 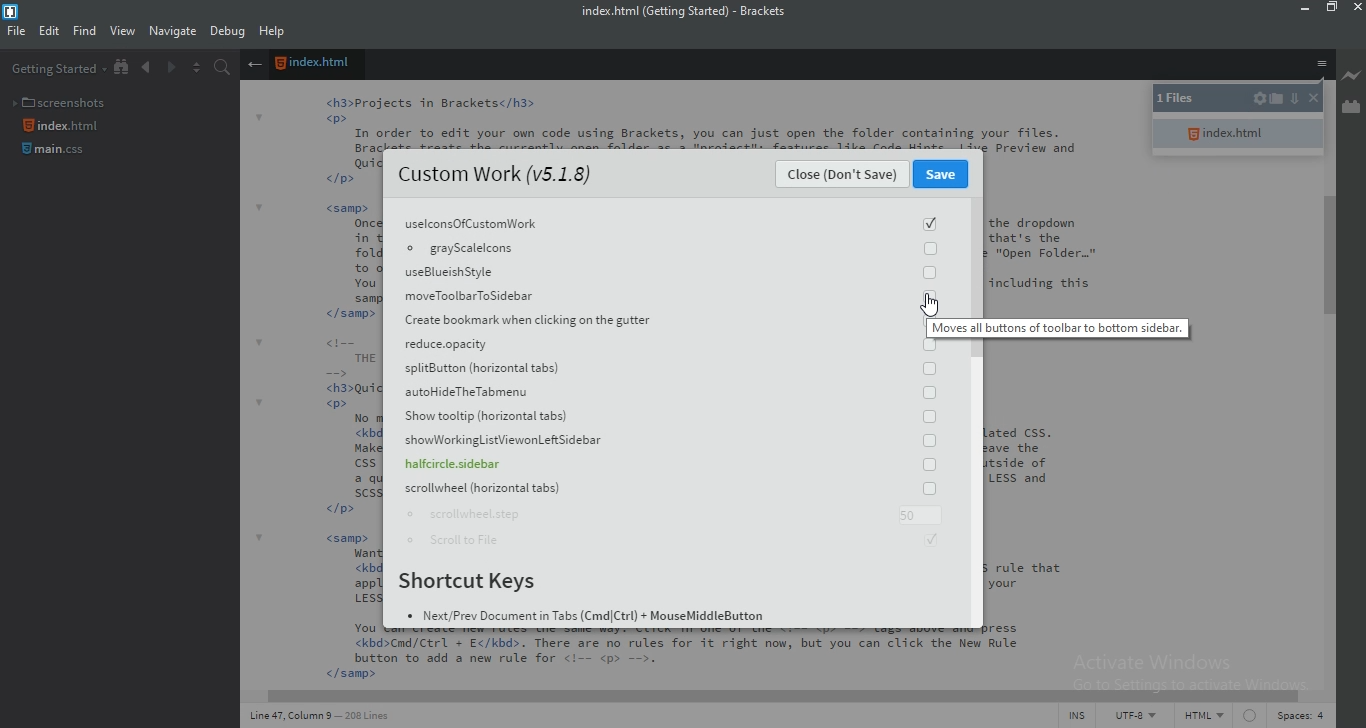 I want to click on grayscalelcons, so click(x=666, y=249).